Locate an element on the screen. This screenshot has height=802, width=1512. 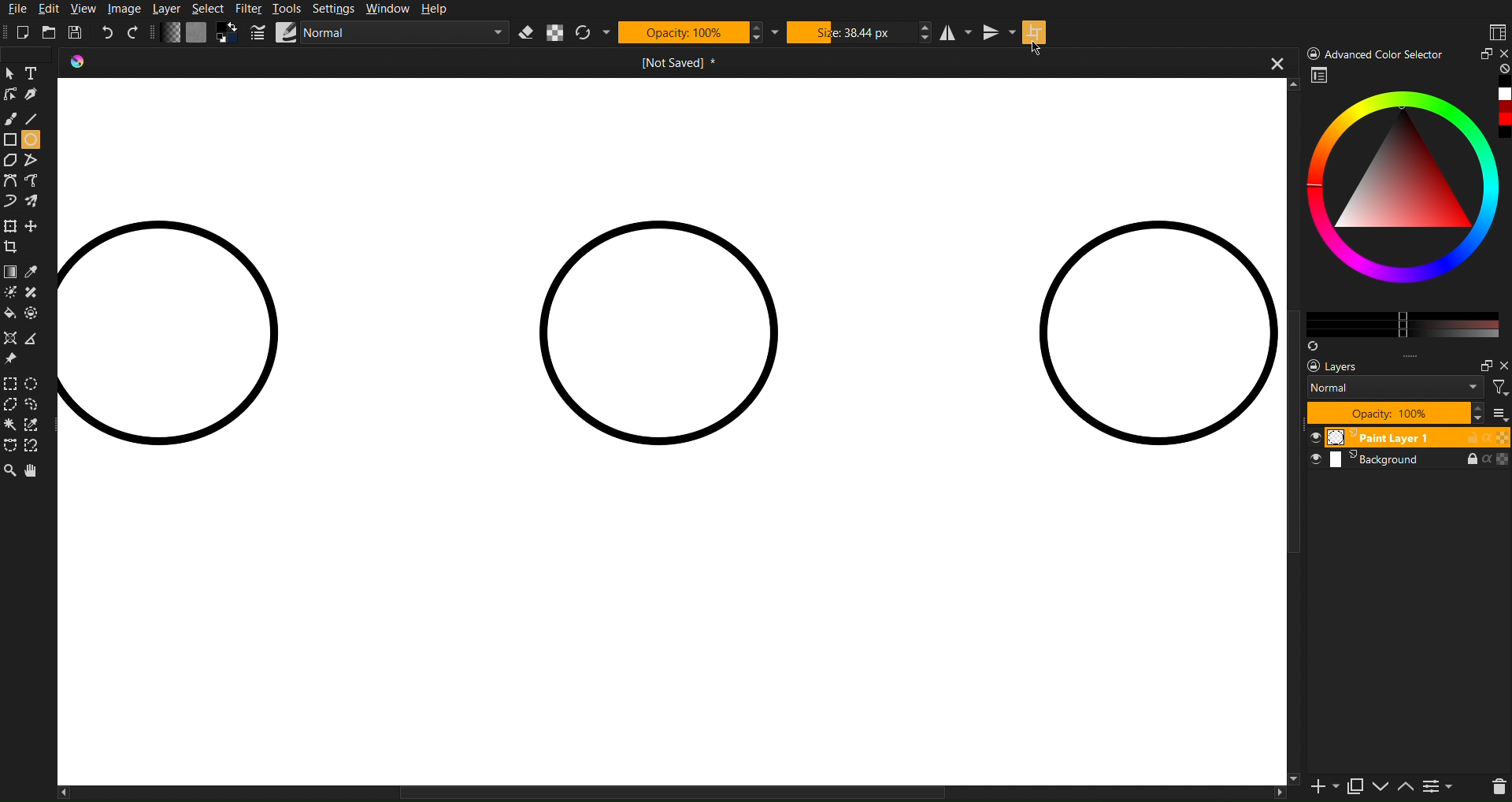
Zoom  is located at coordinates (11, 470).